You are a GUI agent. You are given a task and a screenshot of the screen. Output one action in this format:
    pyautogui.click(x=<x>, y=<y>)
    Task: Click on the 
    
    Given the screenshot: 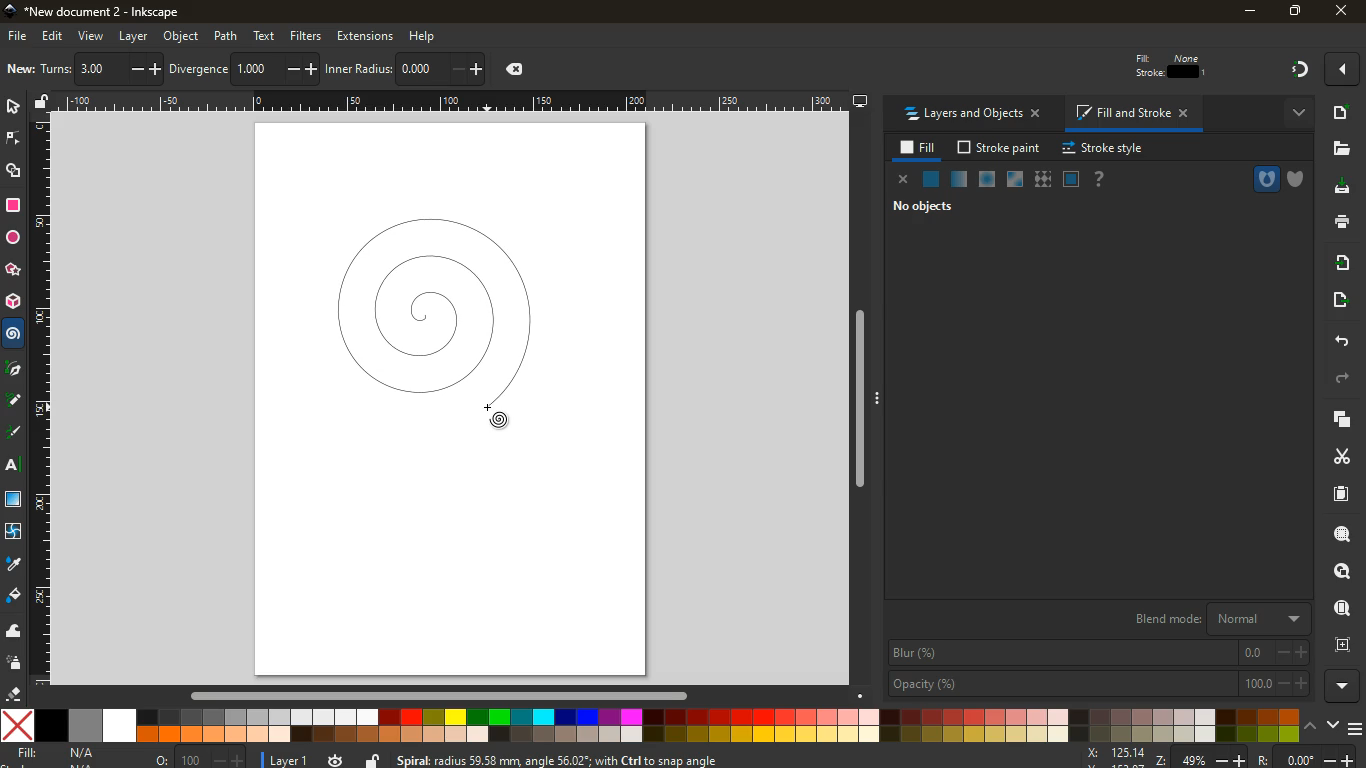 What is the action you would take?
    pyautogui.click(x=355, y=67)
    